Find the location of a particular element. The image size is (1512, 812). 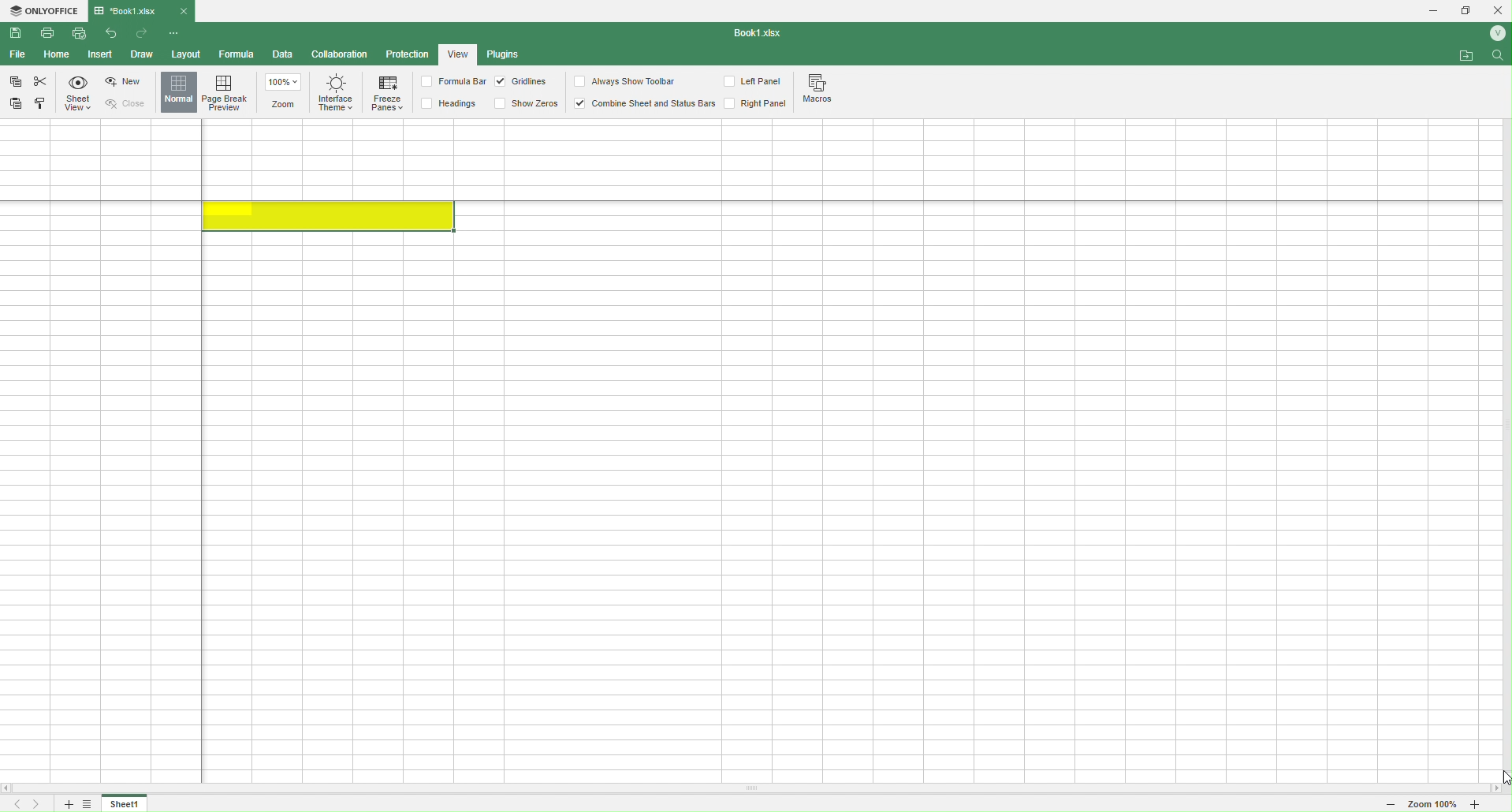

Minimize is located at coordinates (1428, 11).